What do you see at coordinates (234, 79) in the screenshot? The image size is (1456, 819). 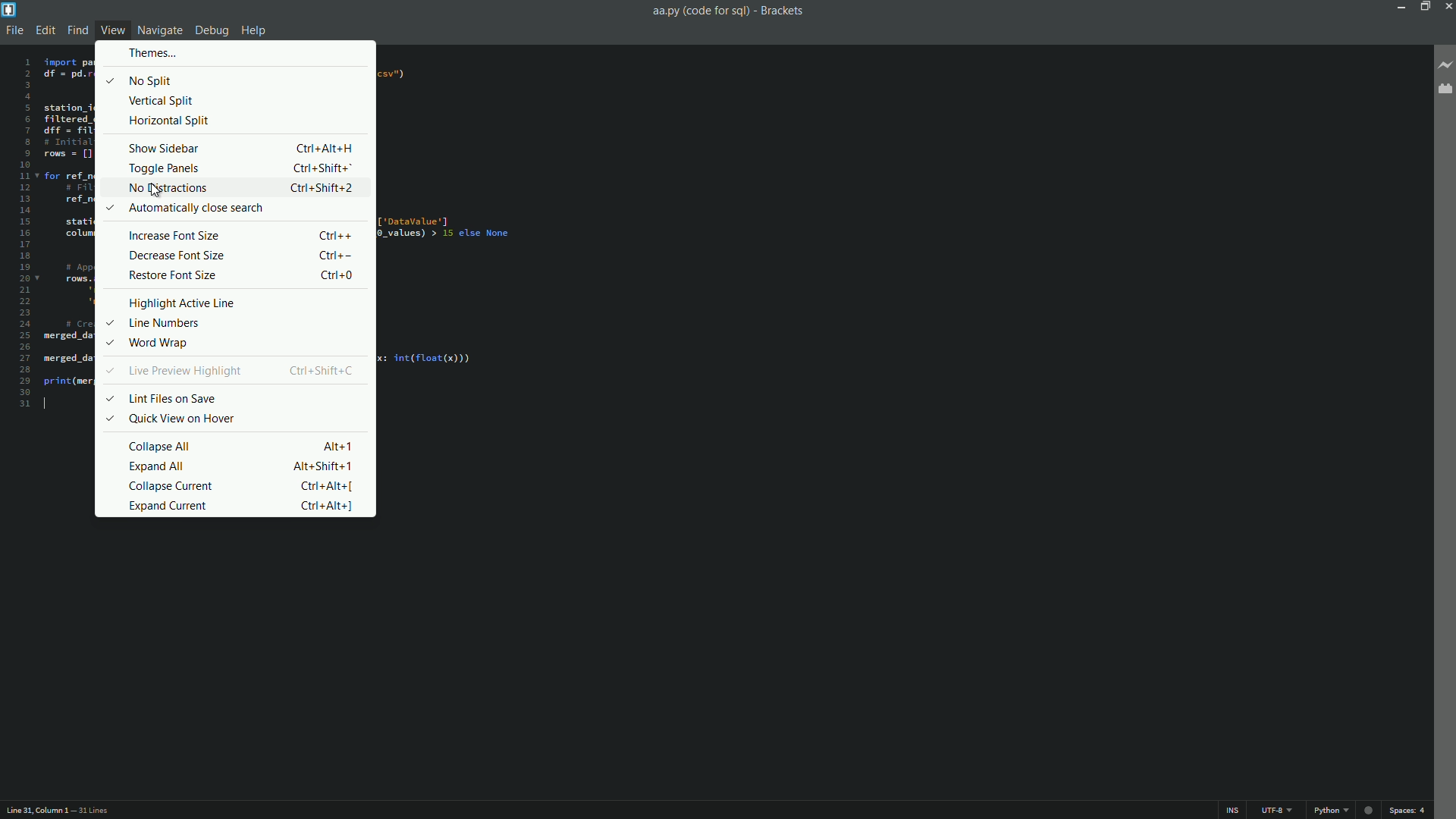 I see `no split` at bounding box center [234, 79].